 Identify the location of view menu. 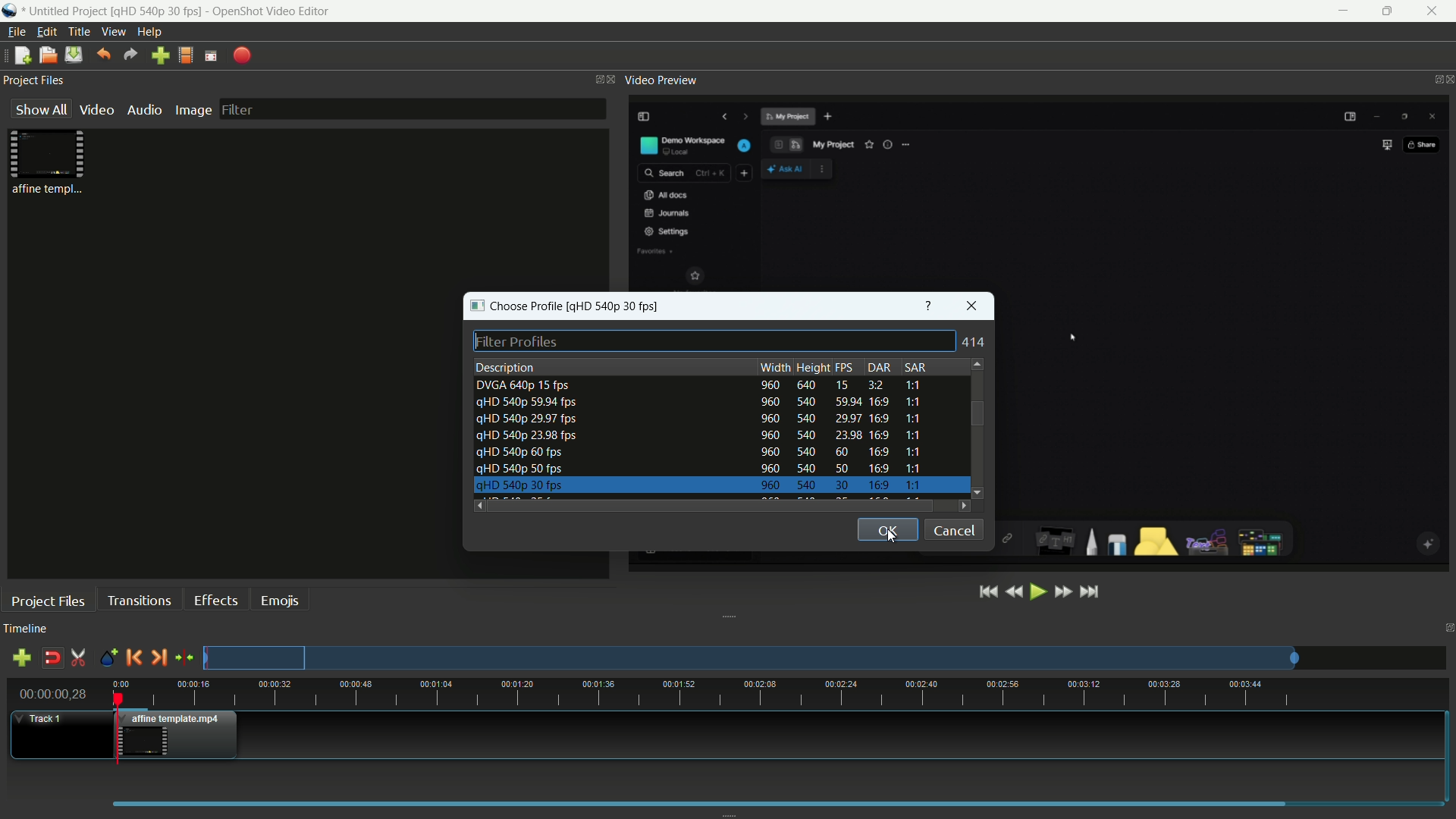
(114, 32).